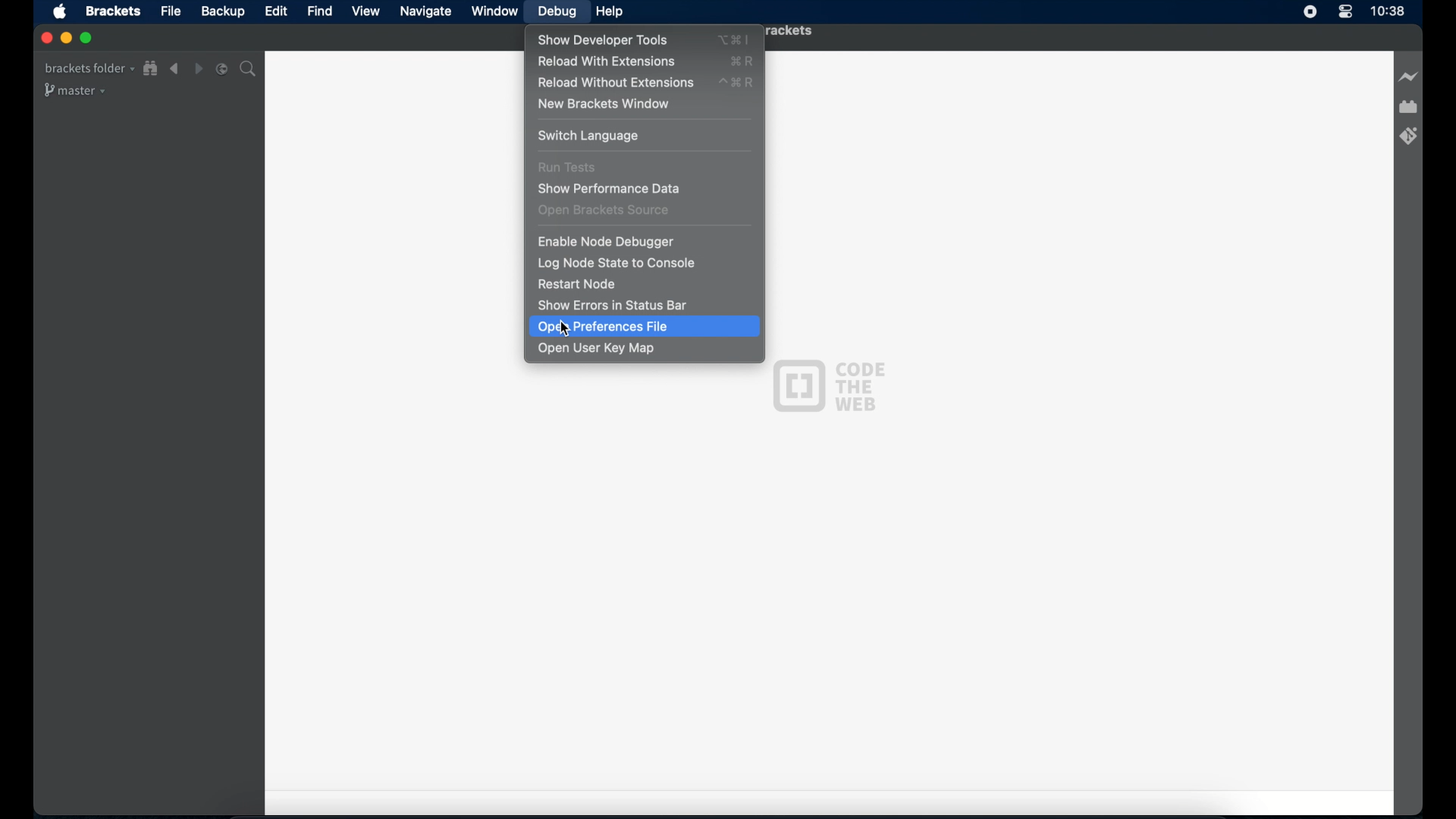 The image size is (1456, 819). Describe the element at coordinates (604, 105) in the screenshot. I see `new brackets window` at that location.